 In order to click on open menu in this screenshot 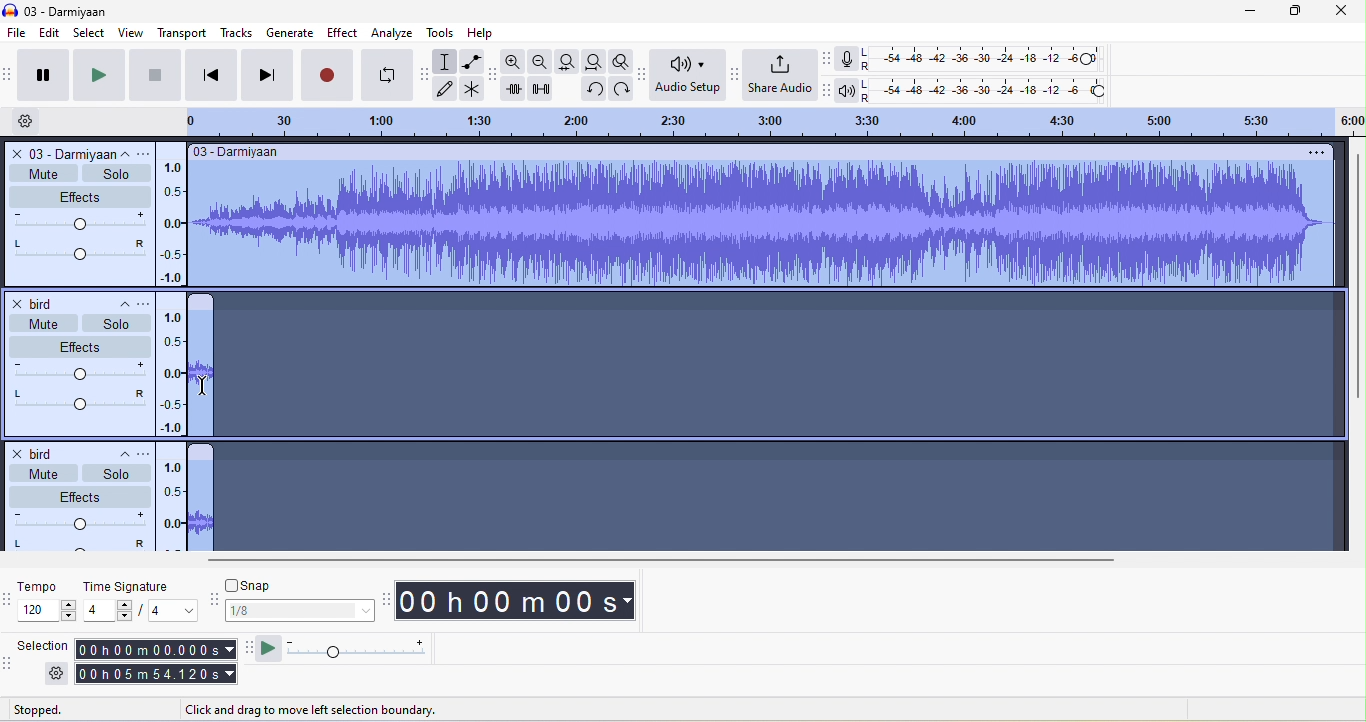, I will do `click(146, 452)`.